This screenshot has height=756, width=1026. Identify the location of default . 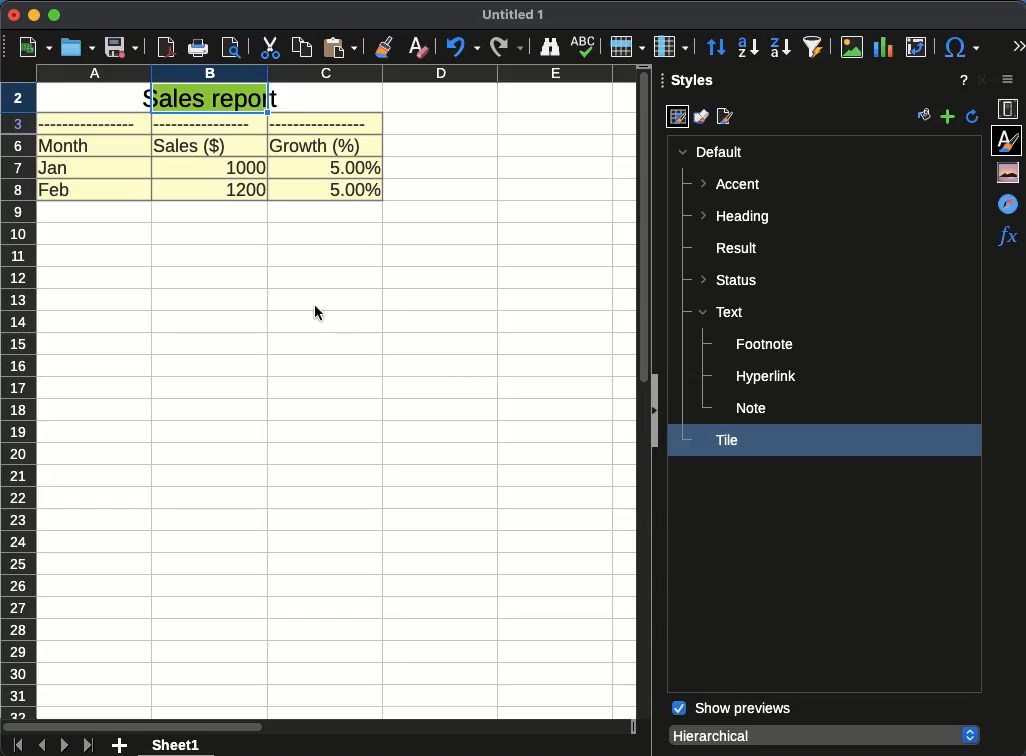
(710, 152).